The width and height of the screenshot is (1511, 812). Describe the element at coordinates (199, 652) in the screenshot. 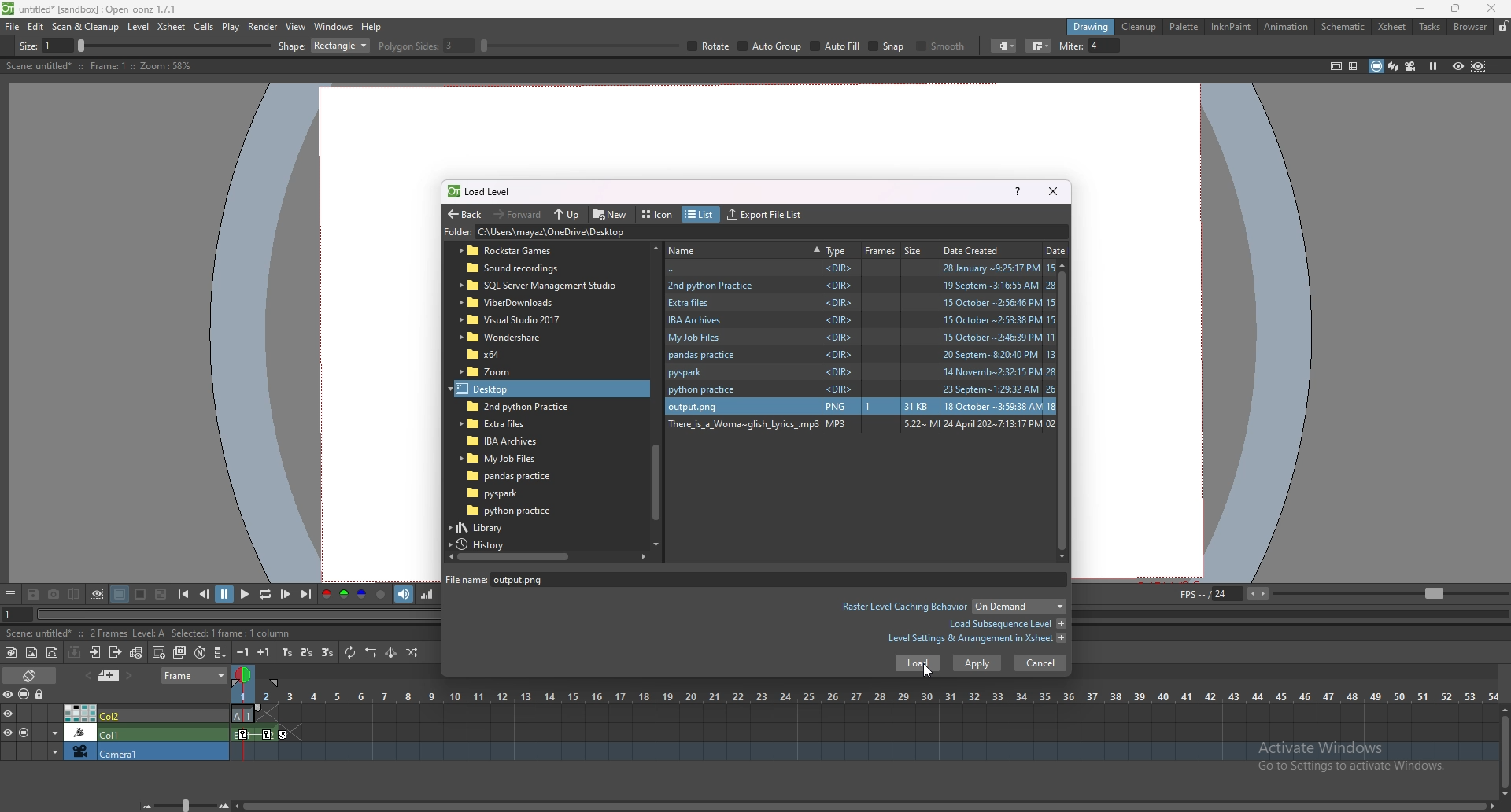

I see `auto input cell number` at that location.